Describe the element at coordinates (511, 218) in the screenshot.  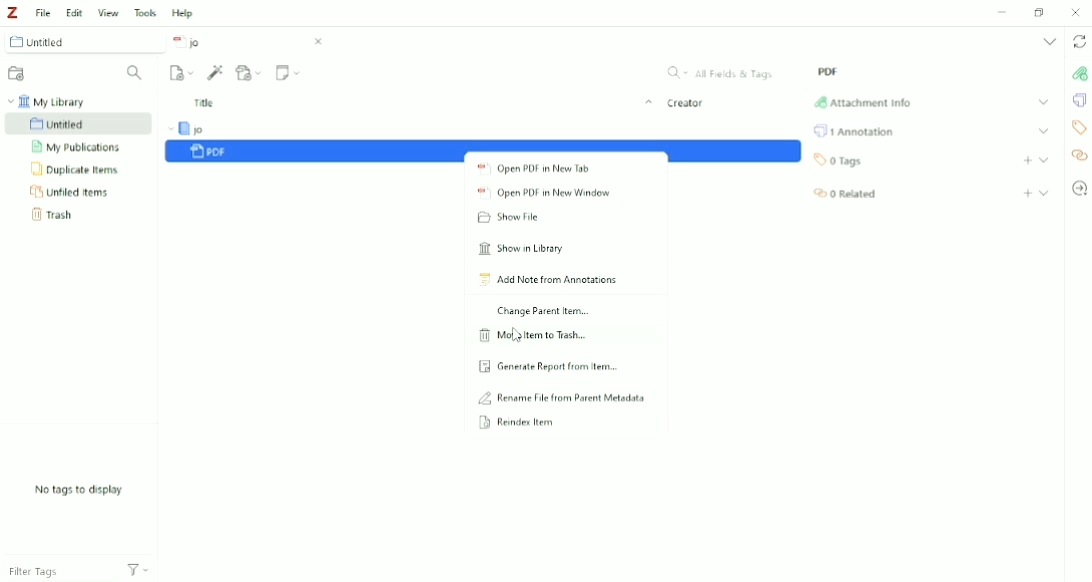
I see `Show File` at that location.